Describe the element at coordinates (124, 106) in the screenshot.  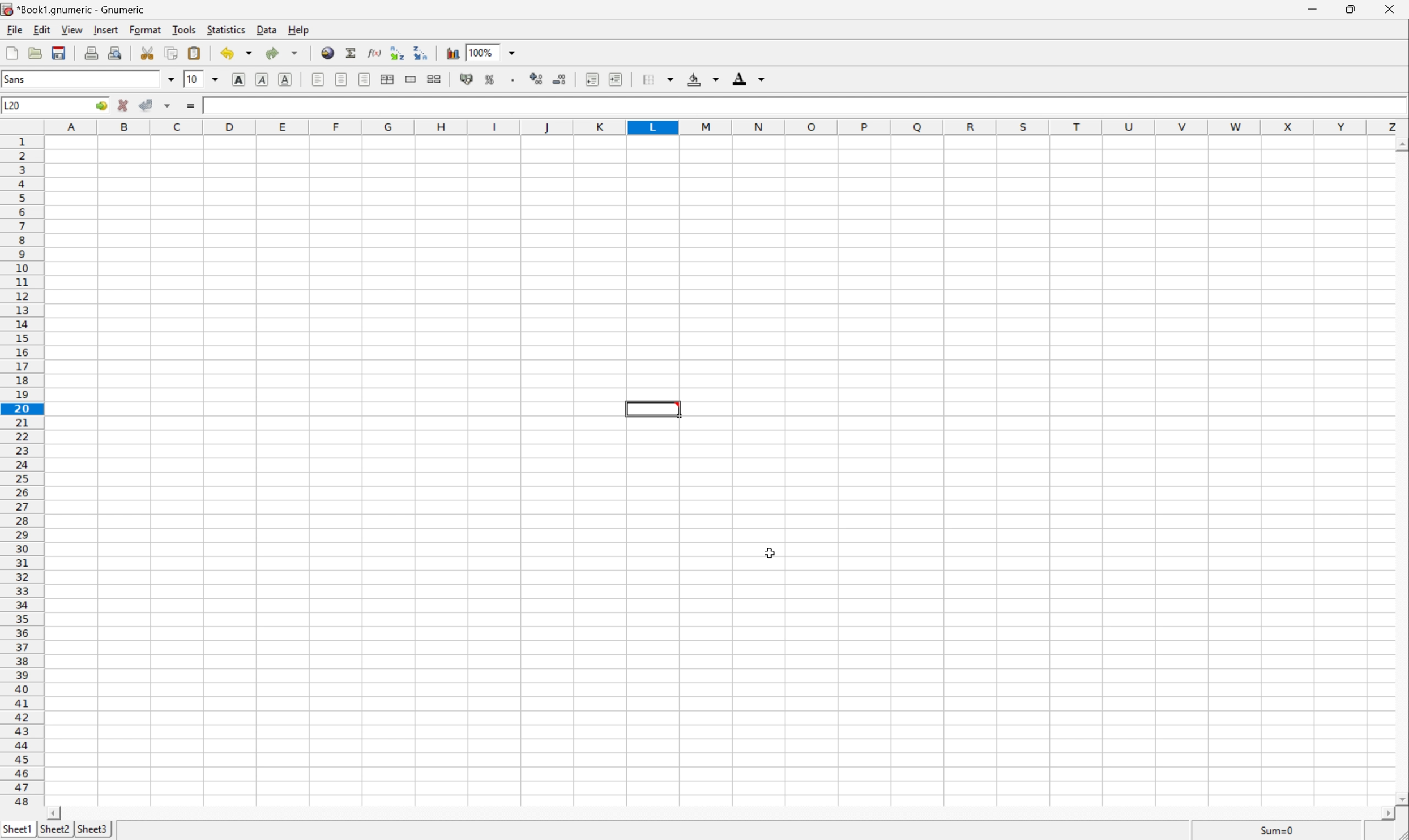
I see `Cancel changes` at that location.